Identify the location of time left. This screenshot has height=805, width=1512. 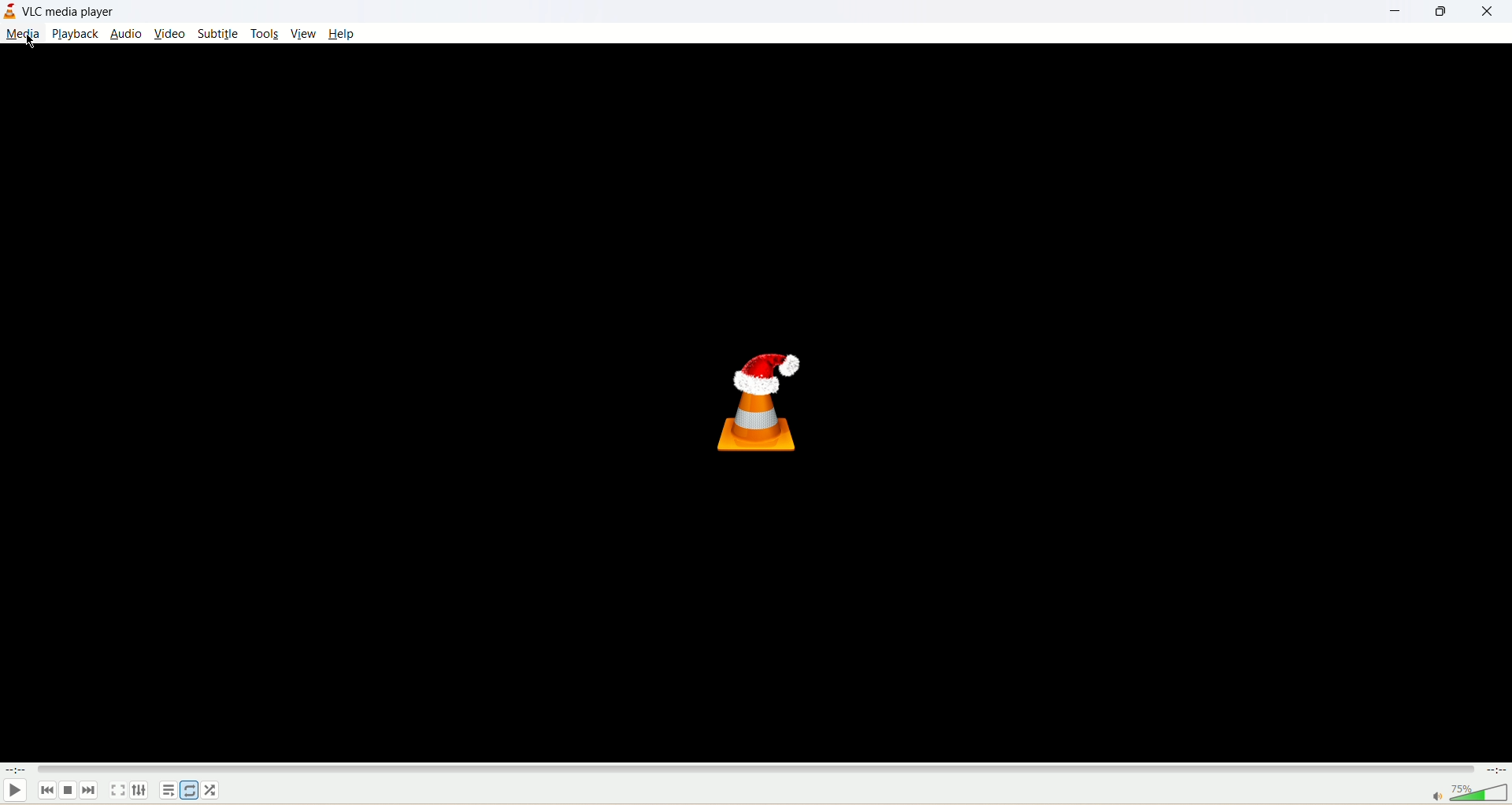
(1496, 770).